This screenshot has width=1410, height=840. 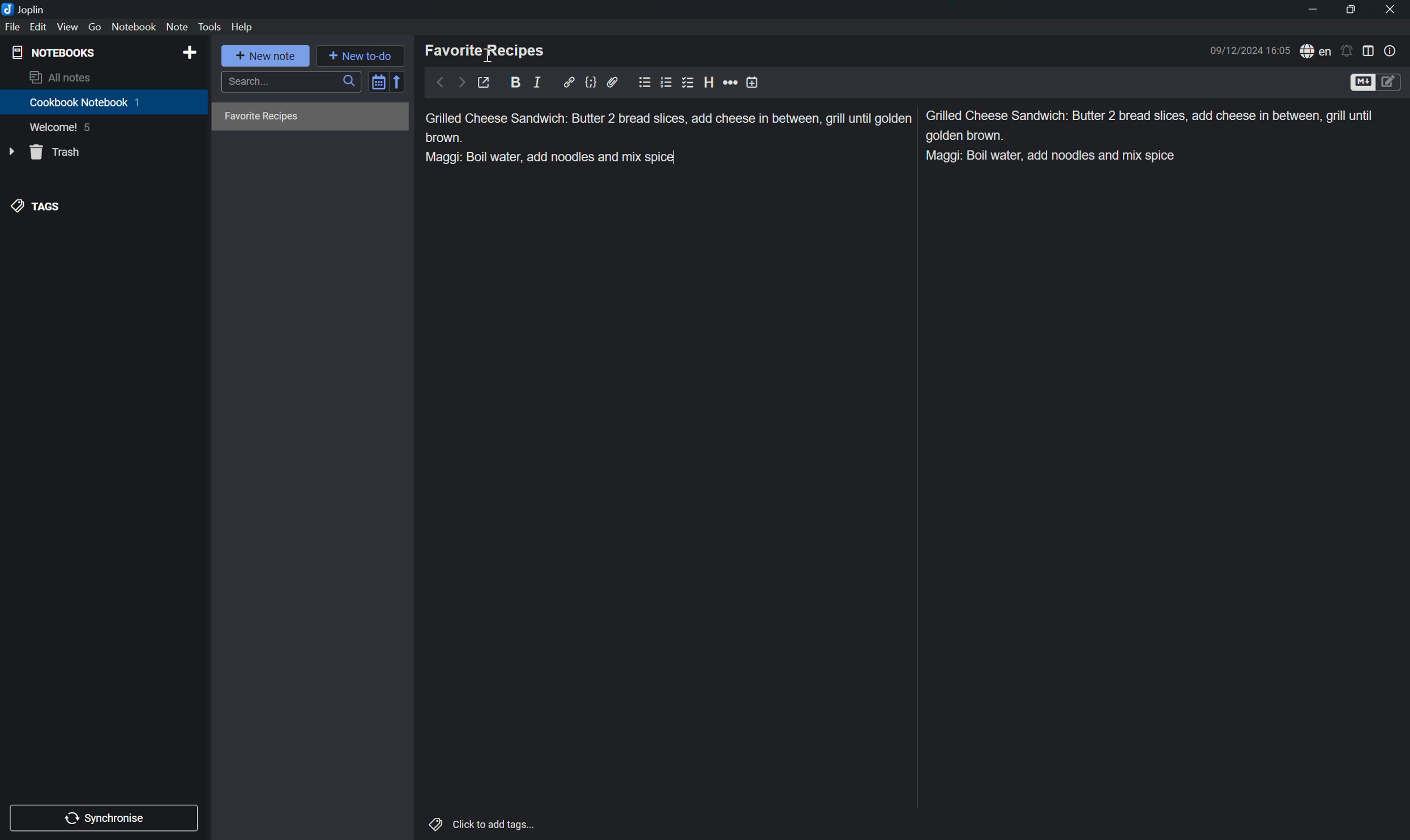 I want to click on Joplin, so click(x=25, y=8).